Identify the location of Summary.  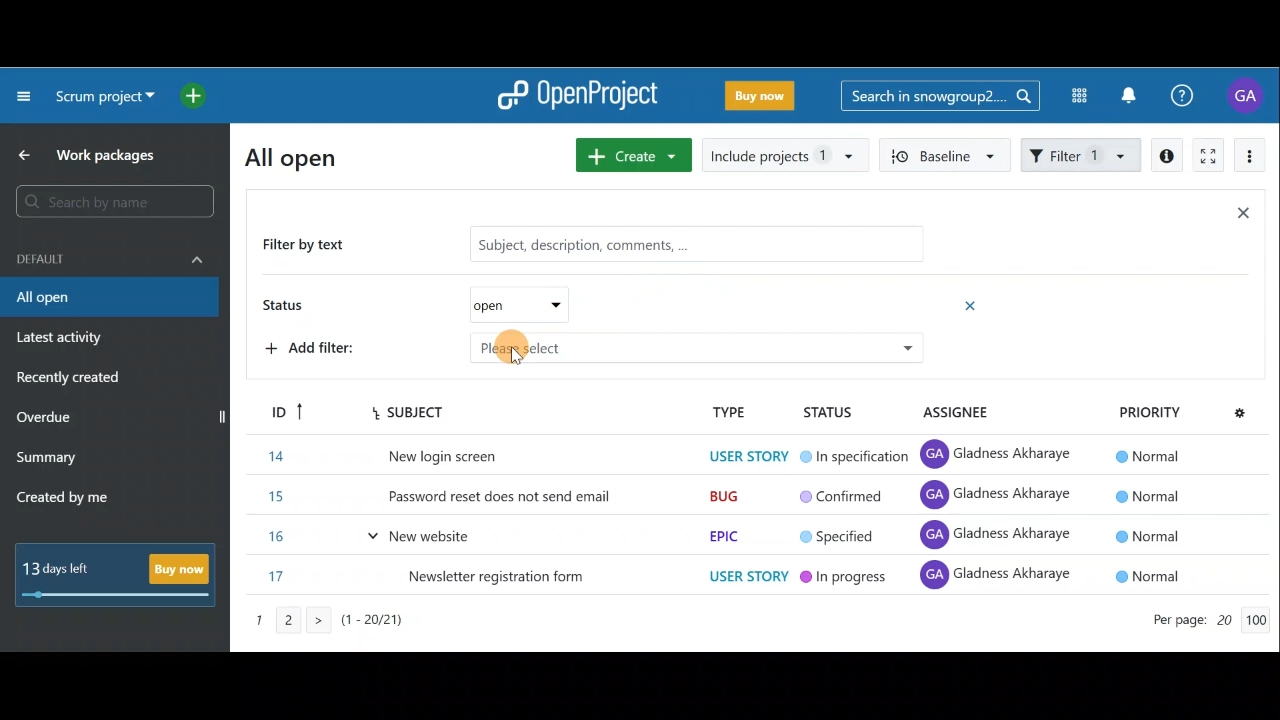
(47, 460).